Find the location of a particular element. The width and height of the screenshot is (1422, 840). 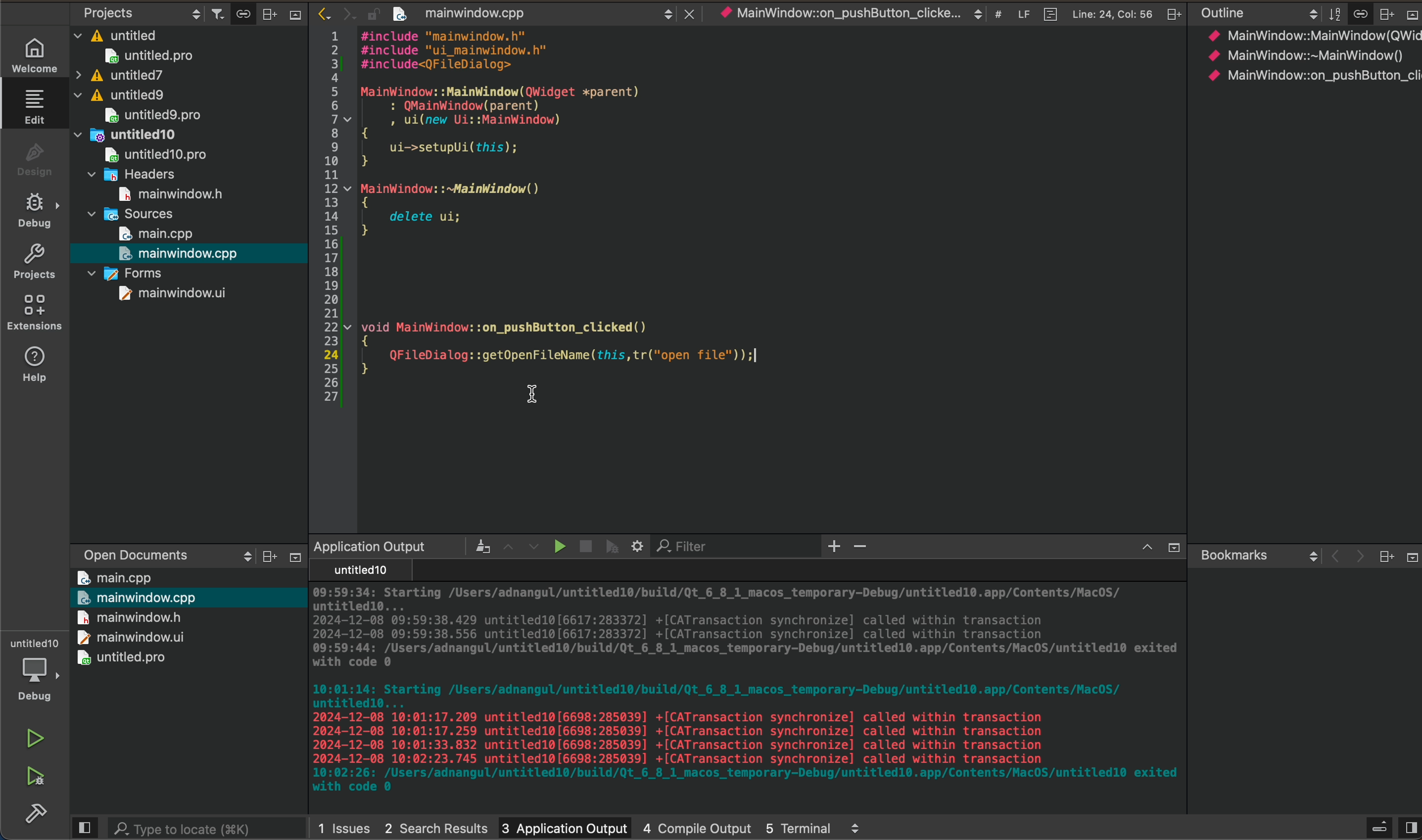

mainwindow.cpp is located at coordinates (181, 253).